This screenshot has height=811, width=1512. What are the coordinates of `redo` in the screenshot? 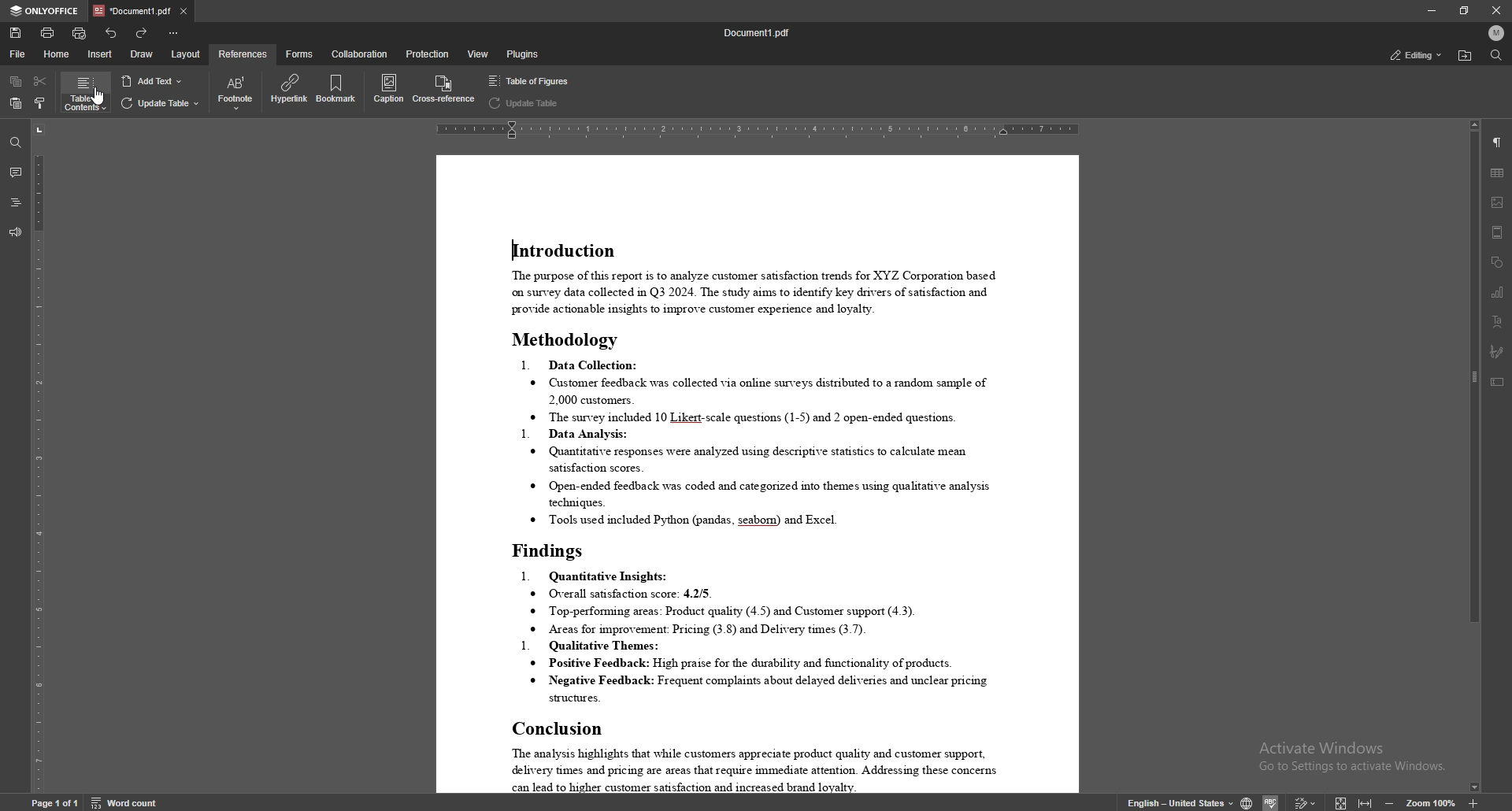 It's located at (144, 33).